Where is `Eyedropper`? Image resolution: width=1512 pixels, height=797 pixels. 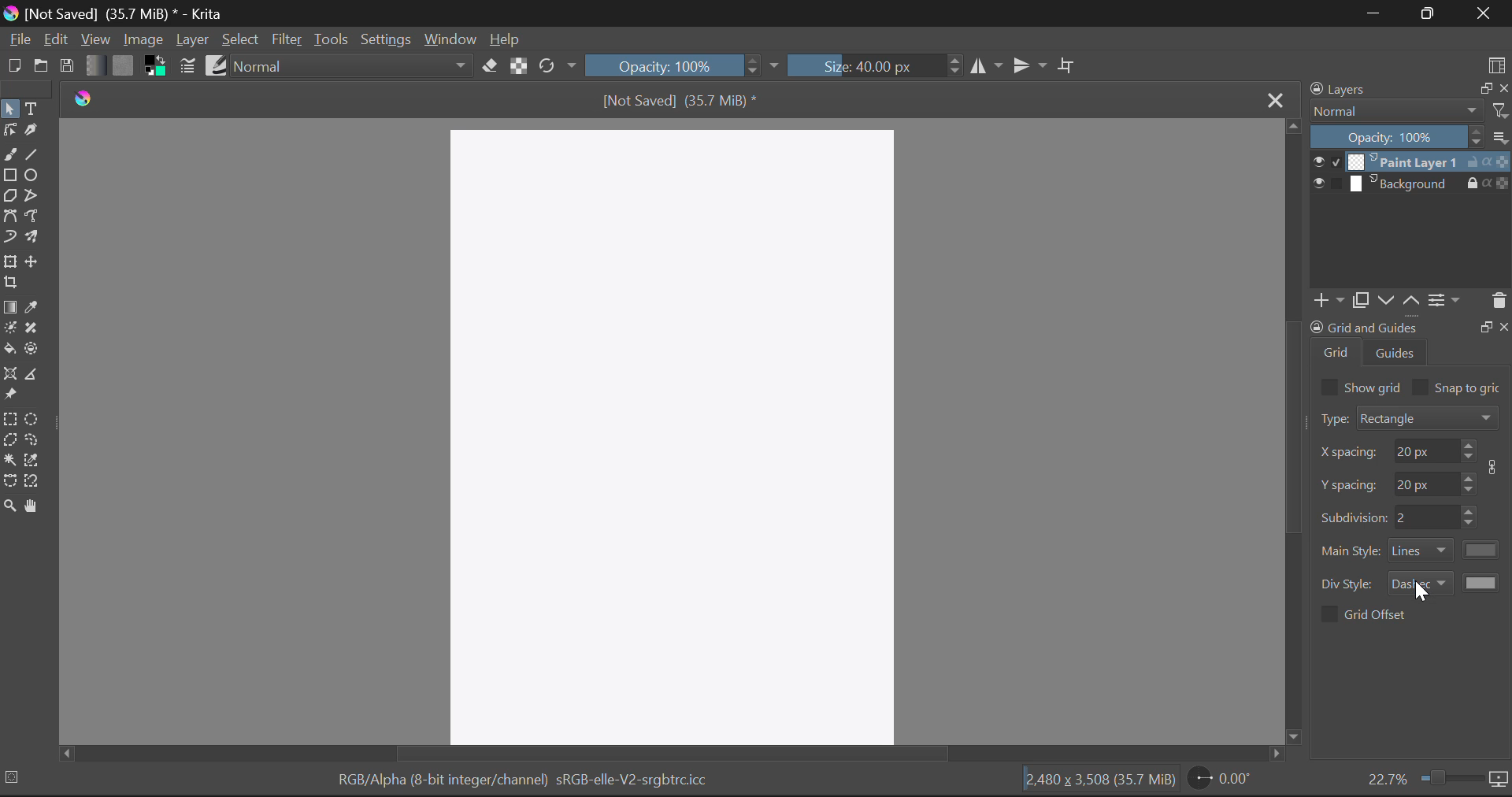
Eyedropper is located at coordinates (32, 309).